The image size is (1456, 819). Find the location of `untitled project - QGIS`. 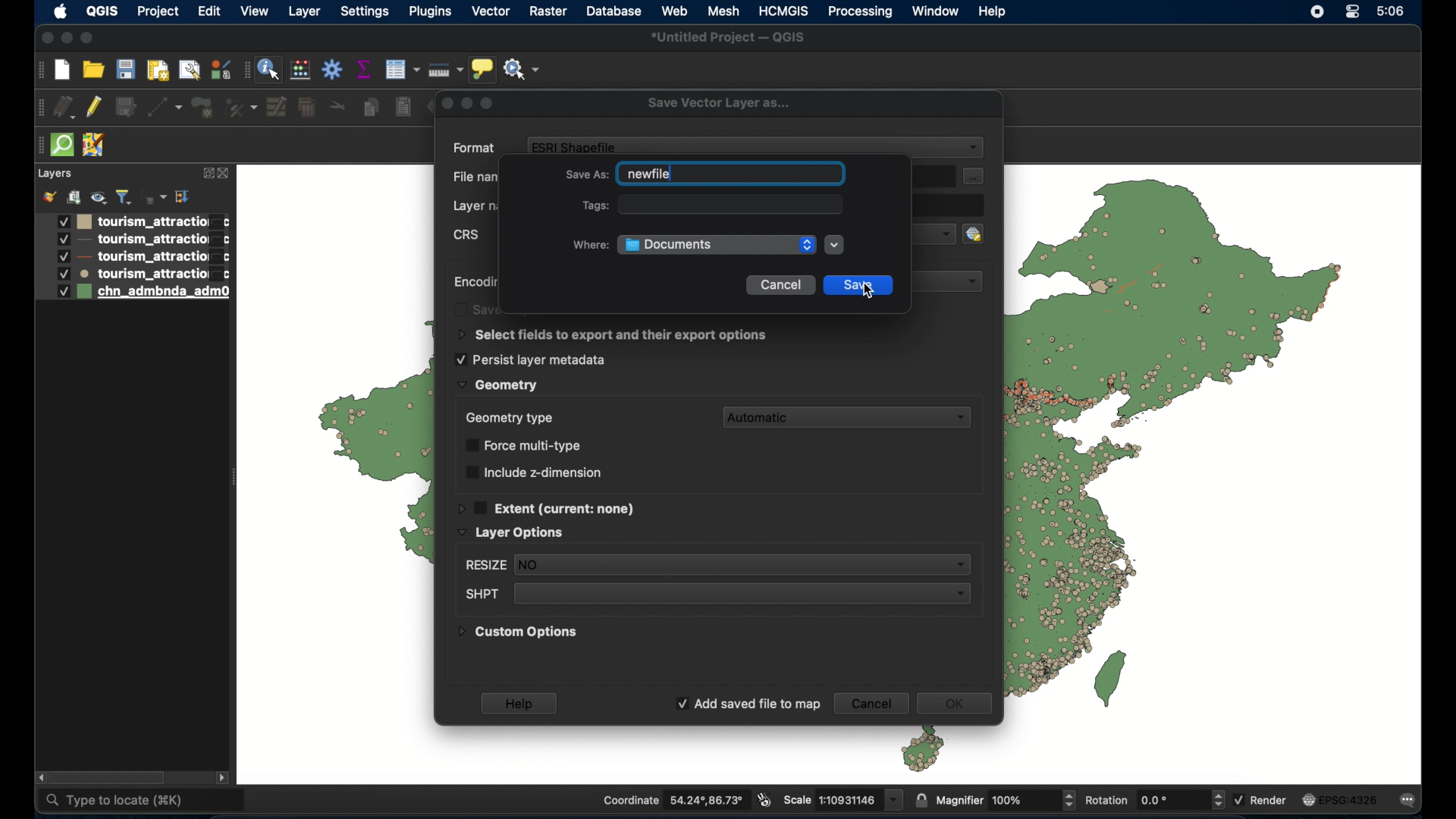

untitled project - QGIS is located at coordinates (729, 37).